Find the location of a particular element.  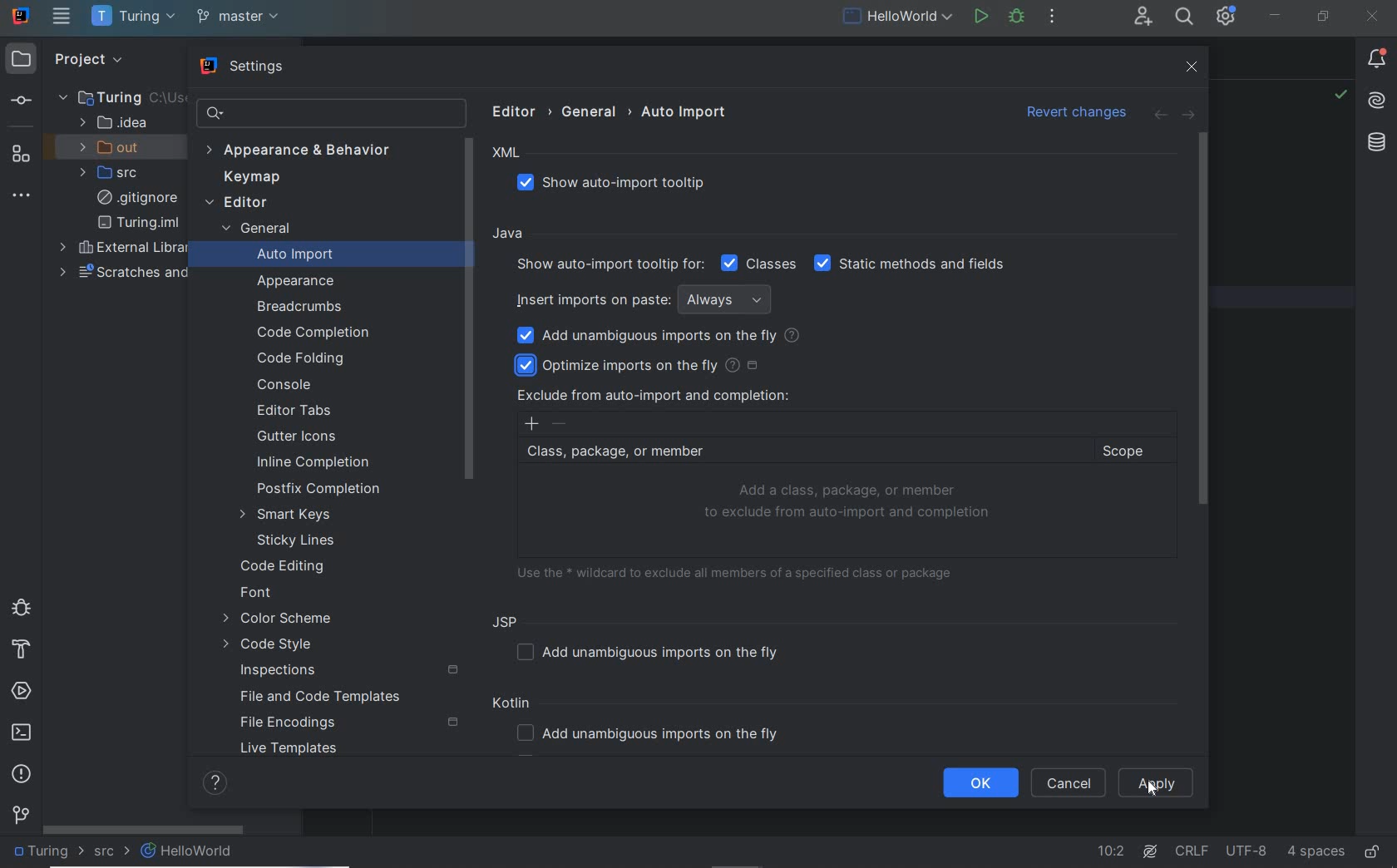

KEYMAP is located at coordinates (248, 179).